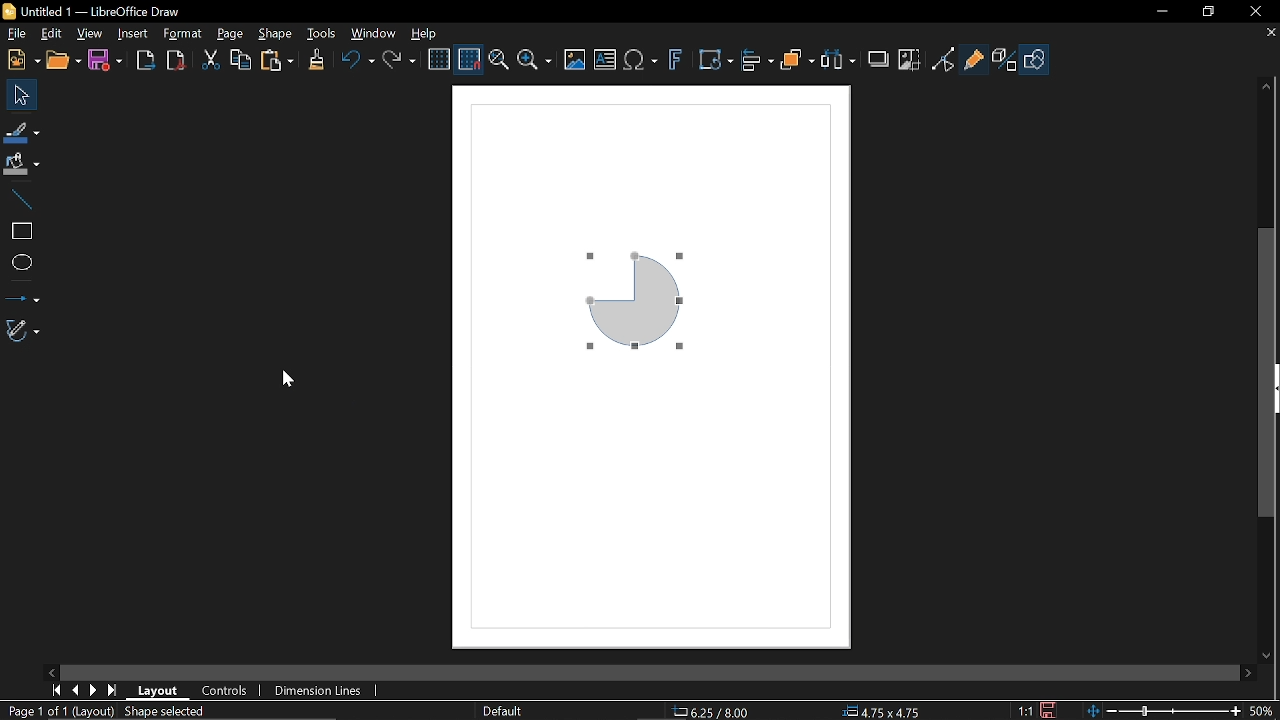  Describe the element at coordinates (534, 59) in the screenshot. I see `Zoom` at that location.